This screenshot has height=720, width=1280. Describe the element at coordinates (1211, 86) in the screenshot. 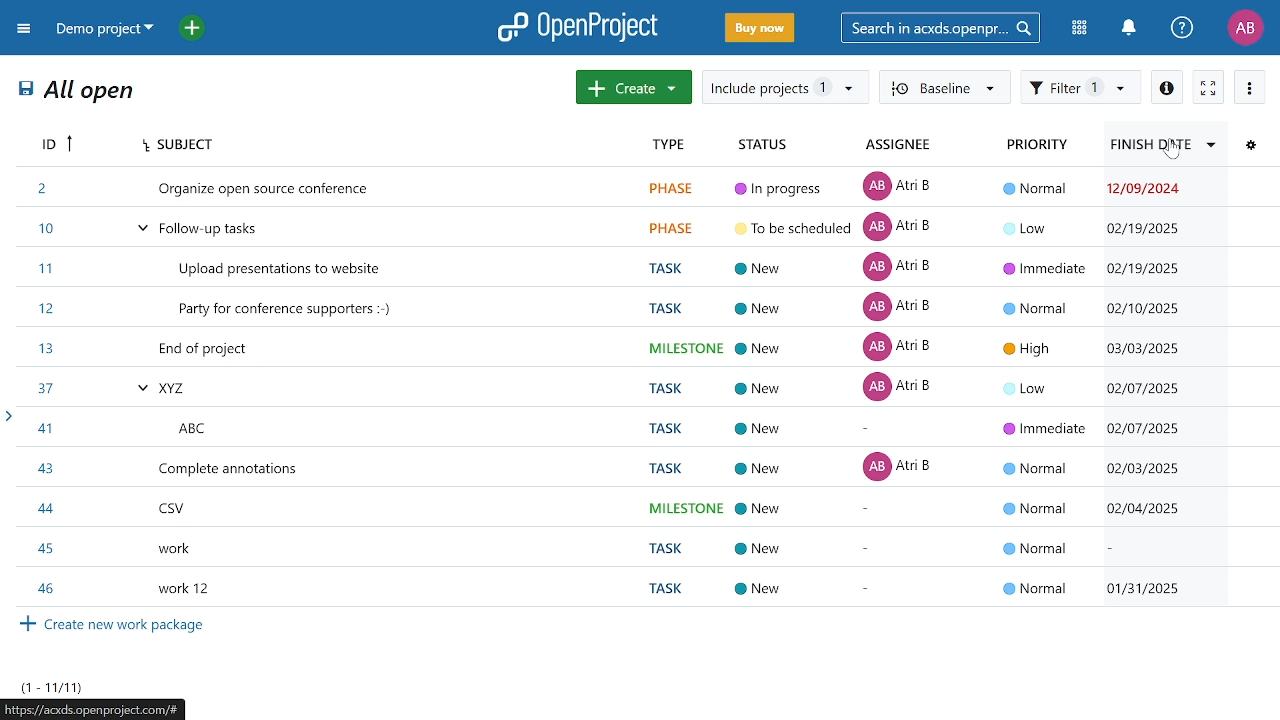

I see `activate zen mode` at that location.